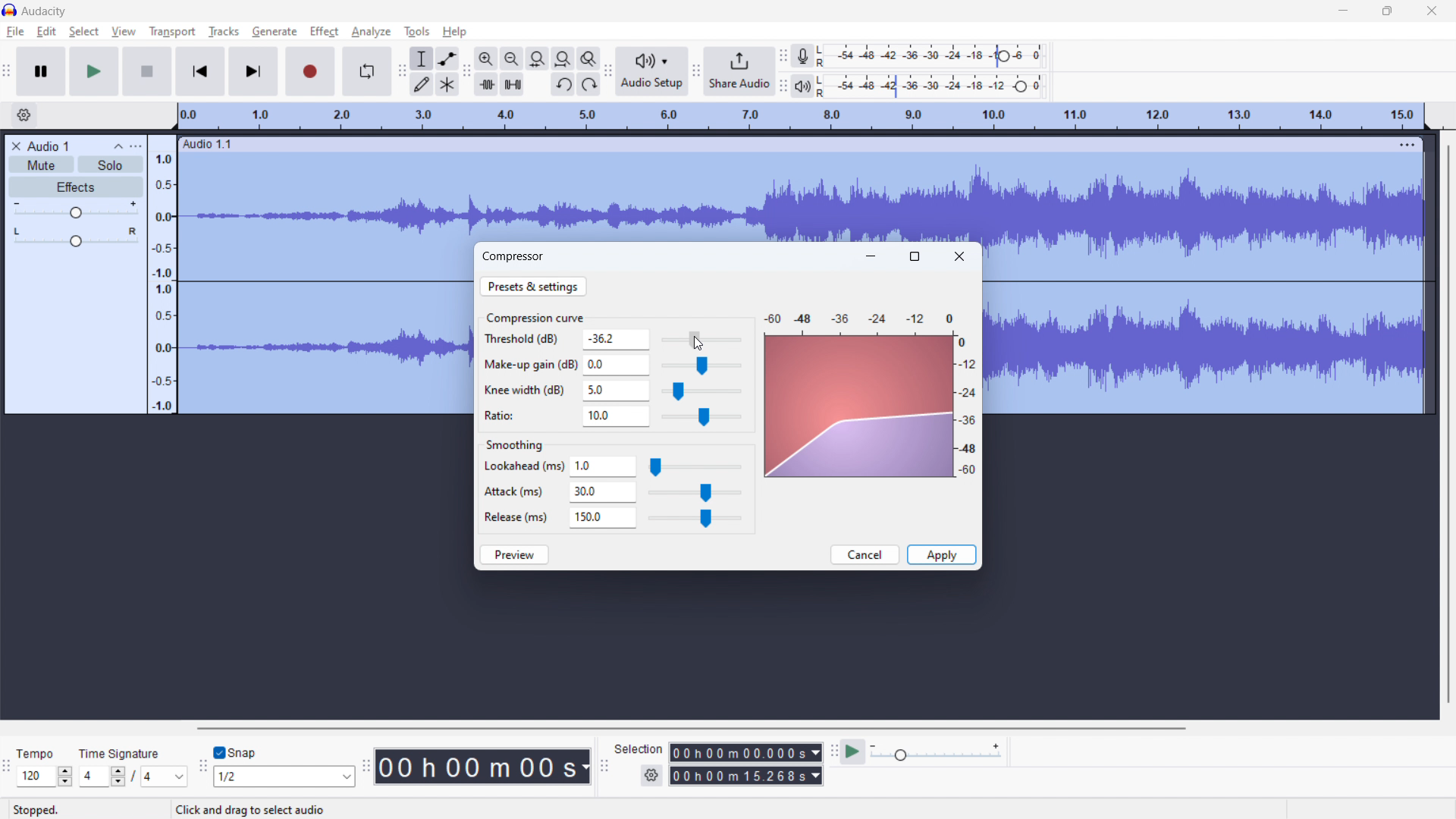  What do you see at coordinates (447, 58) in the screenshot?
I see `envelop tool` at bounding box center [447, 58].